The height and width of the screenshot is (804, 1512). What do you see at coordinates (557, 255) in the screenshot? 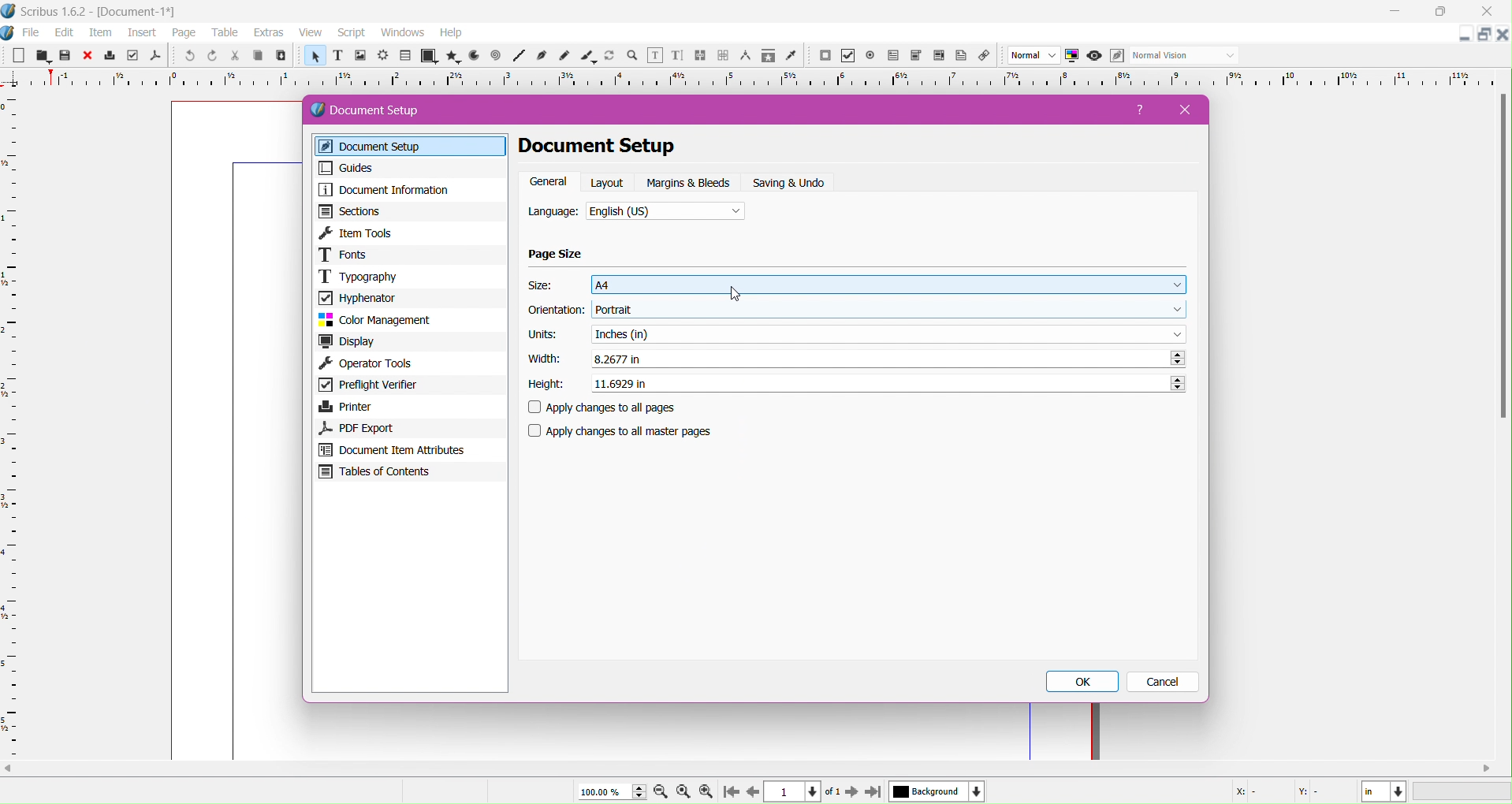
I see `Page Size` at bounding box center [557, 255].